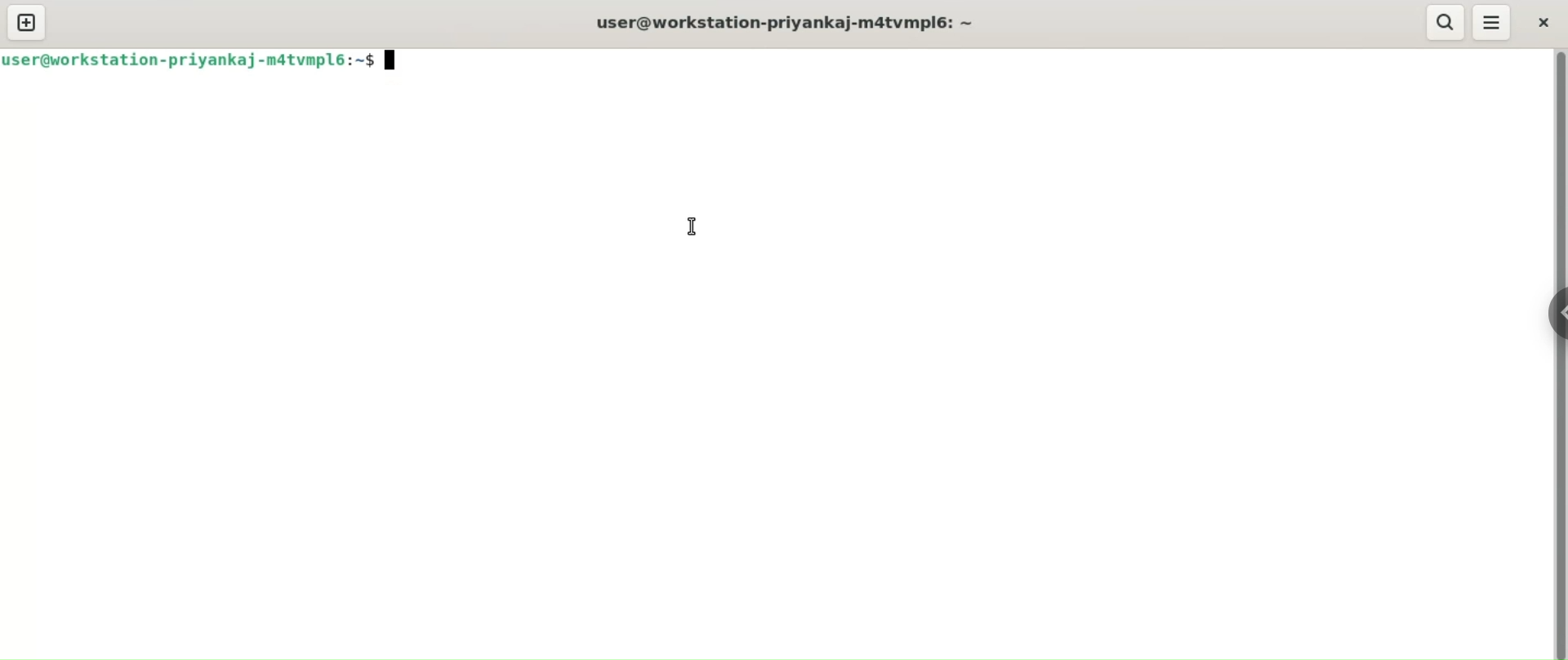  I want to click on user@workstation-priyankaj-m4tvmplé: ~, so click(788, 23).